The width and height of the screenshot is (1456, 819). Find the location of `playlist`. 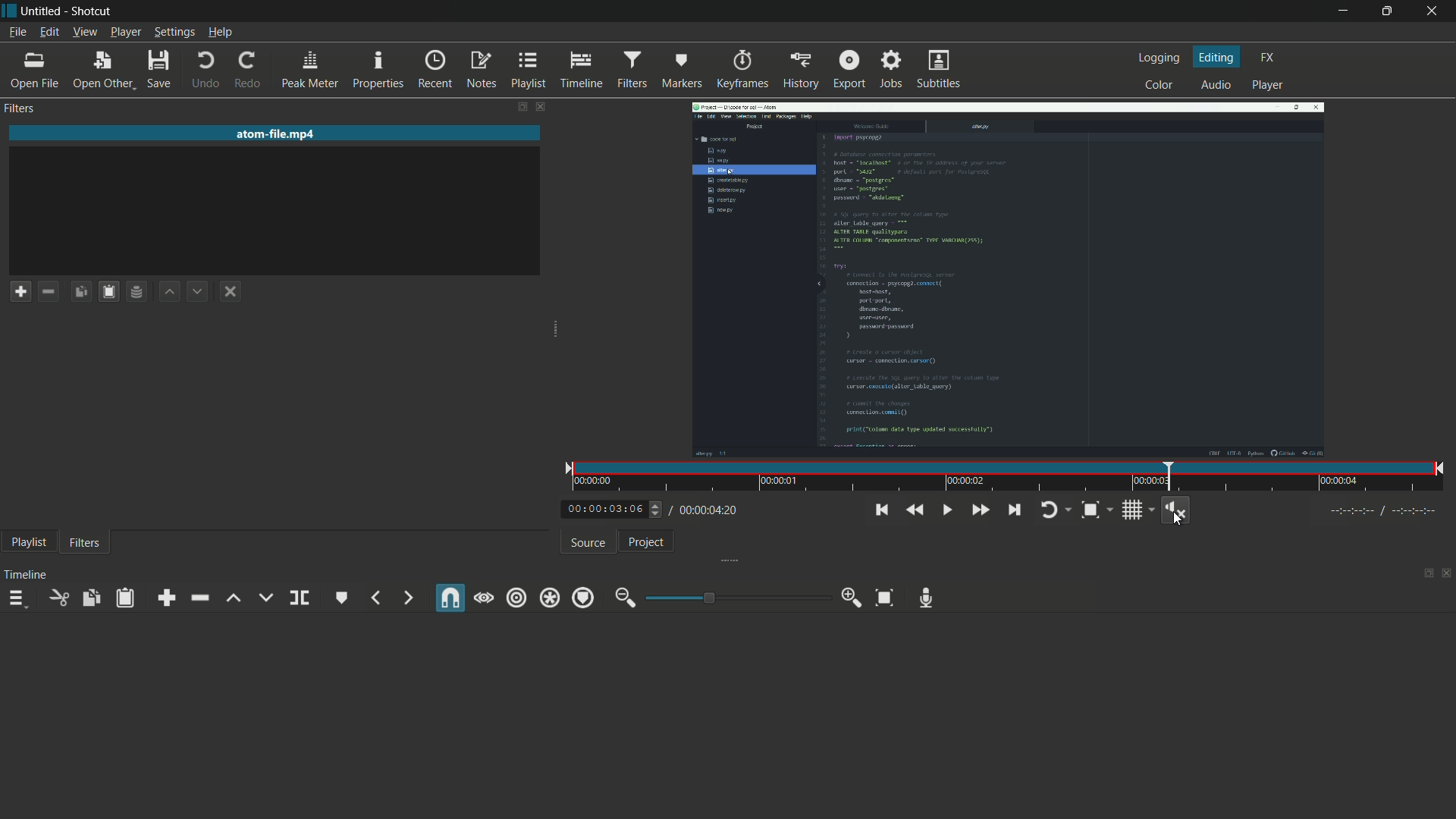

playlist is located at coordinates (529, 71).